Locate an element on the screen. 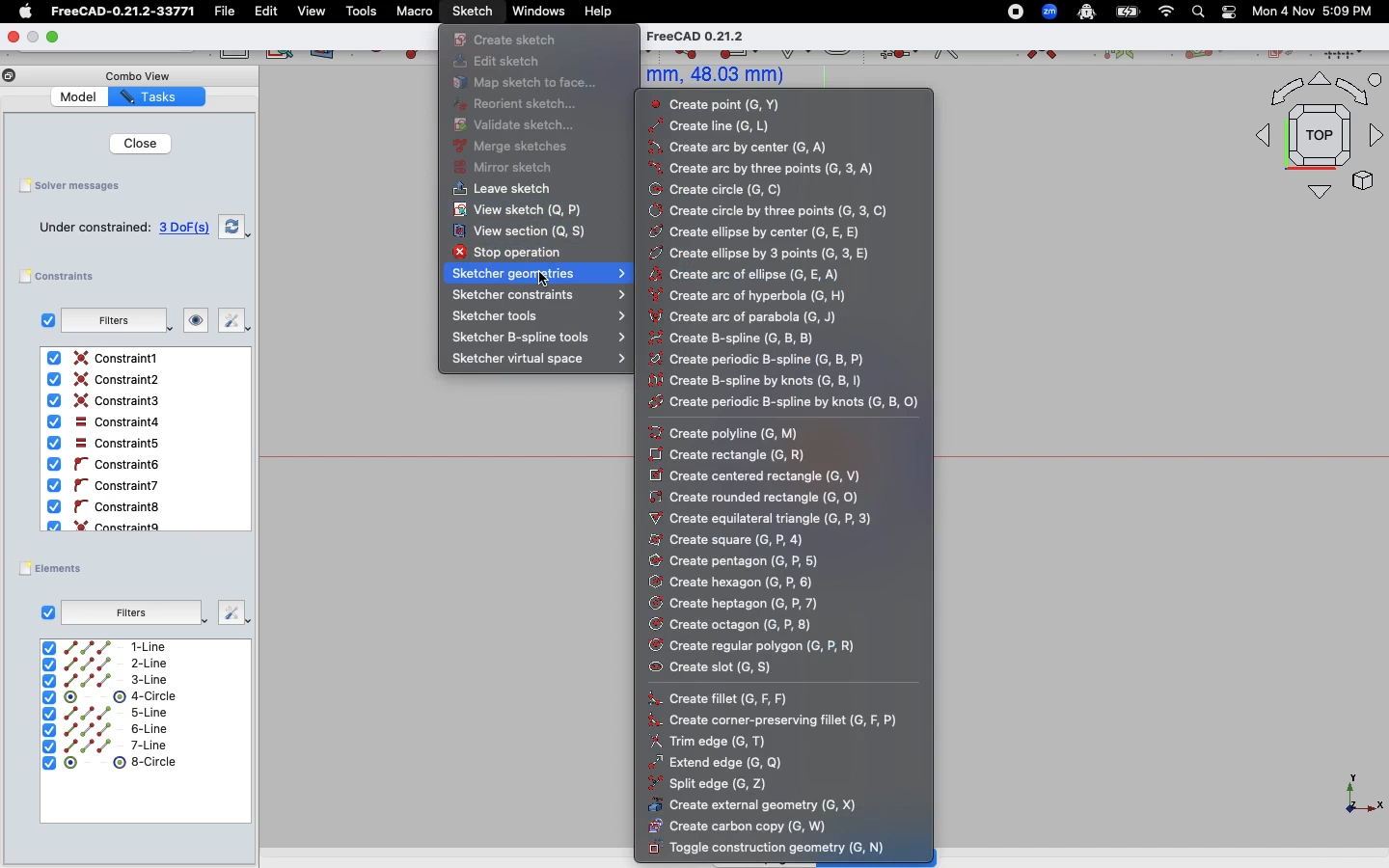 This screenshot has height=868, width=1389. Minimize is located at coordinates (33, 38).